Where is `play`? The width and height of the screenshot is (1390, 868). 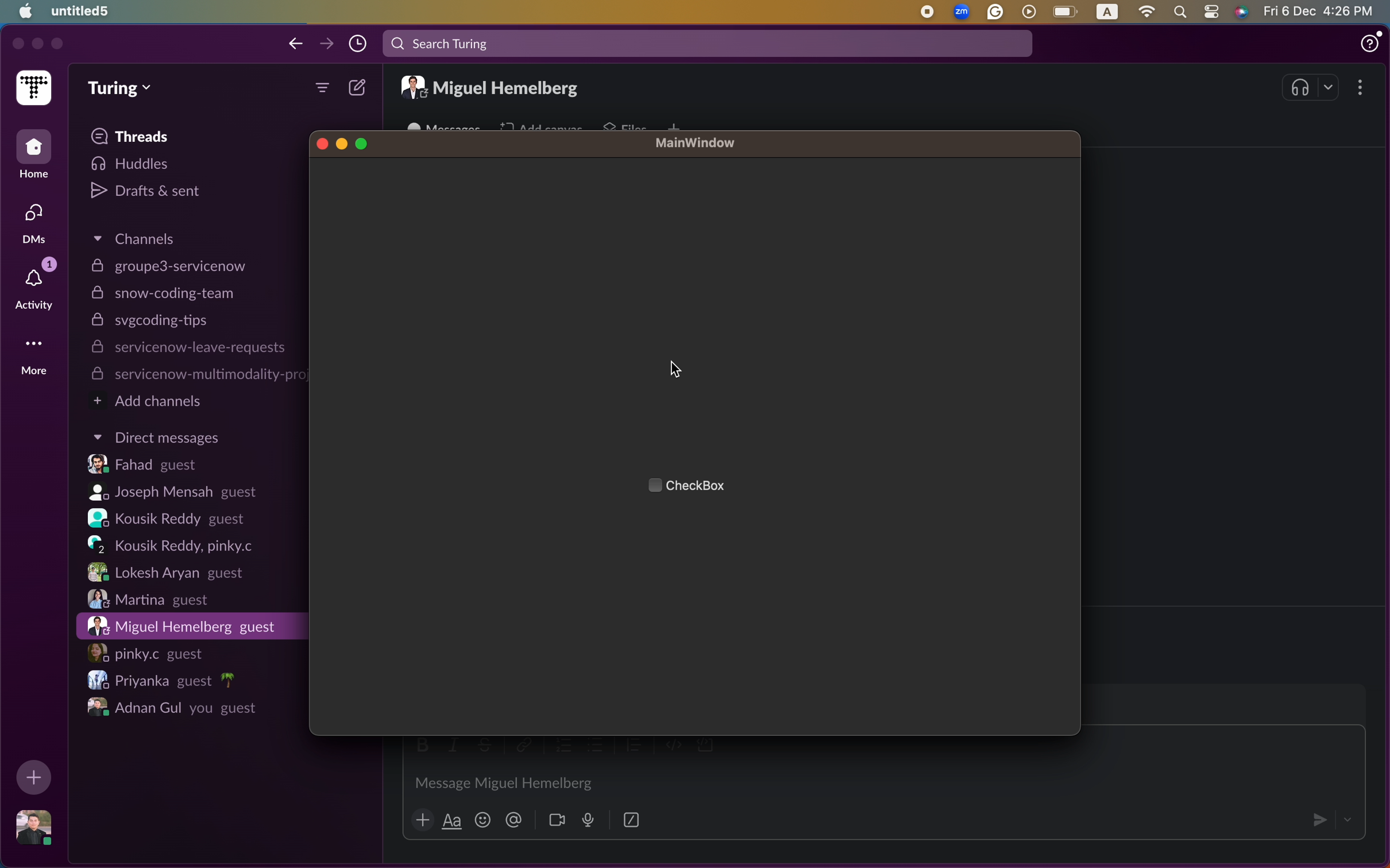
play is located at coordinates (1030, 11).